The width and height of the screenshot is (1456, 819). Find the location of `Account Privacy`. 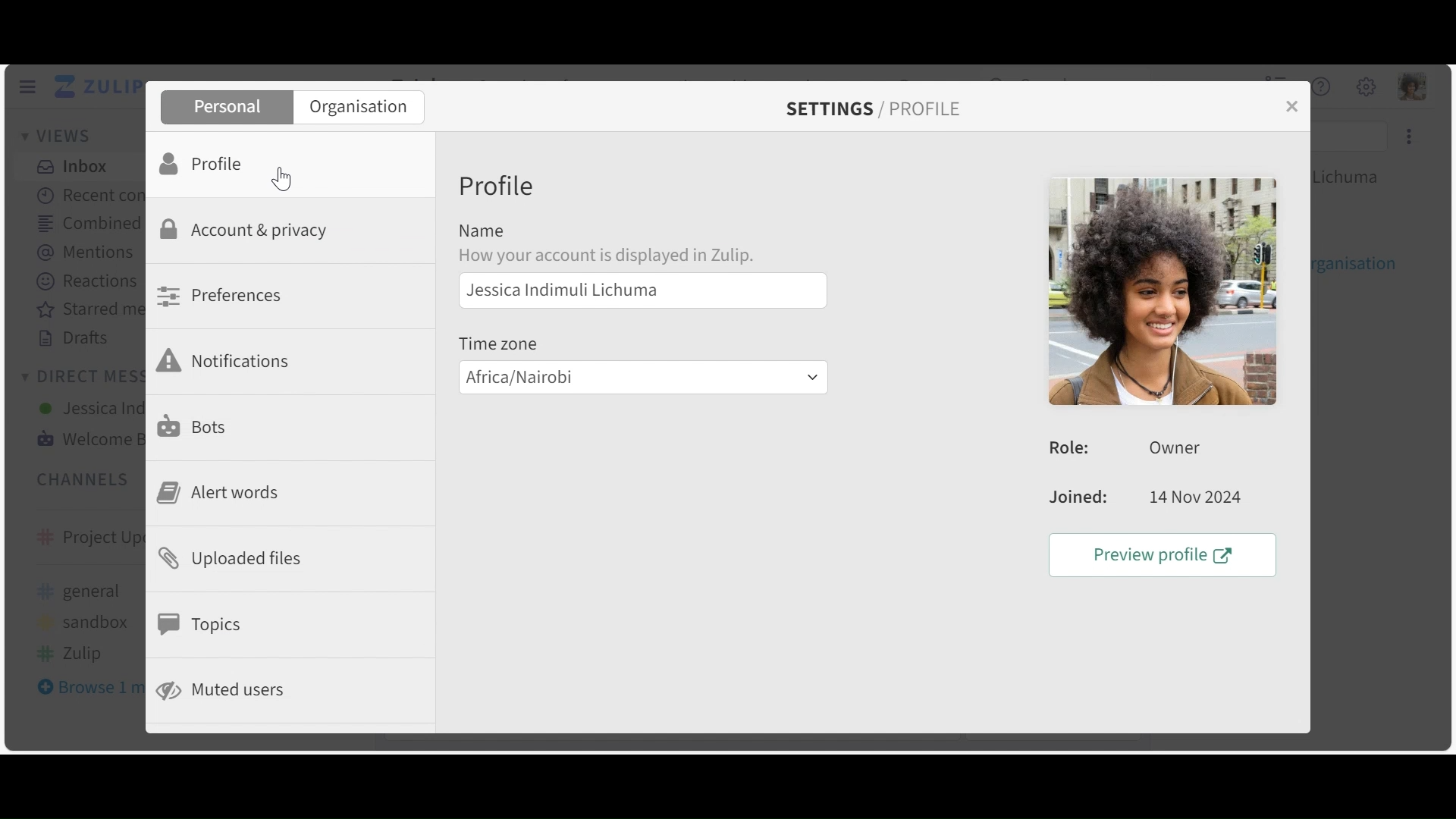

Account Privacy is located at coordinates (243, 232).